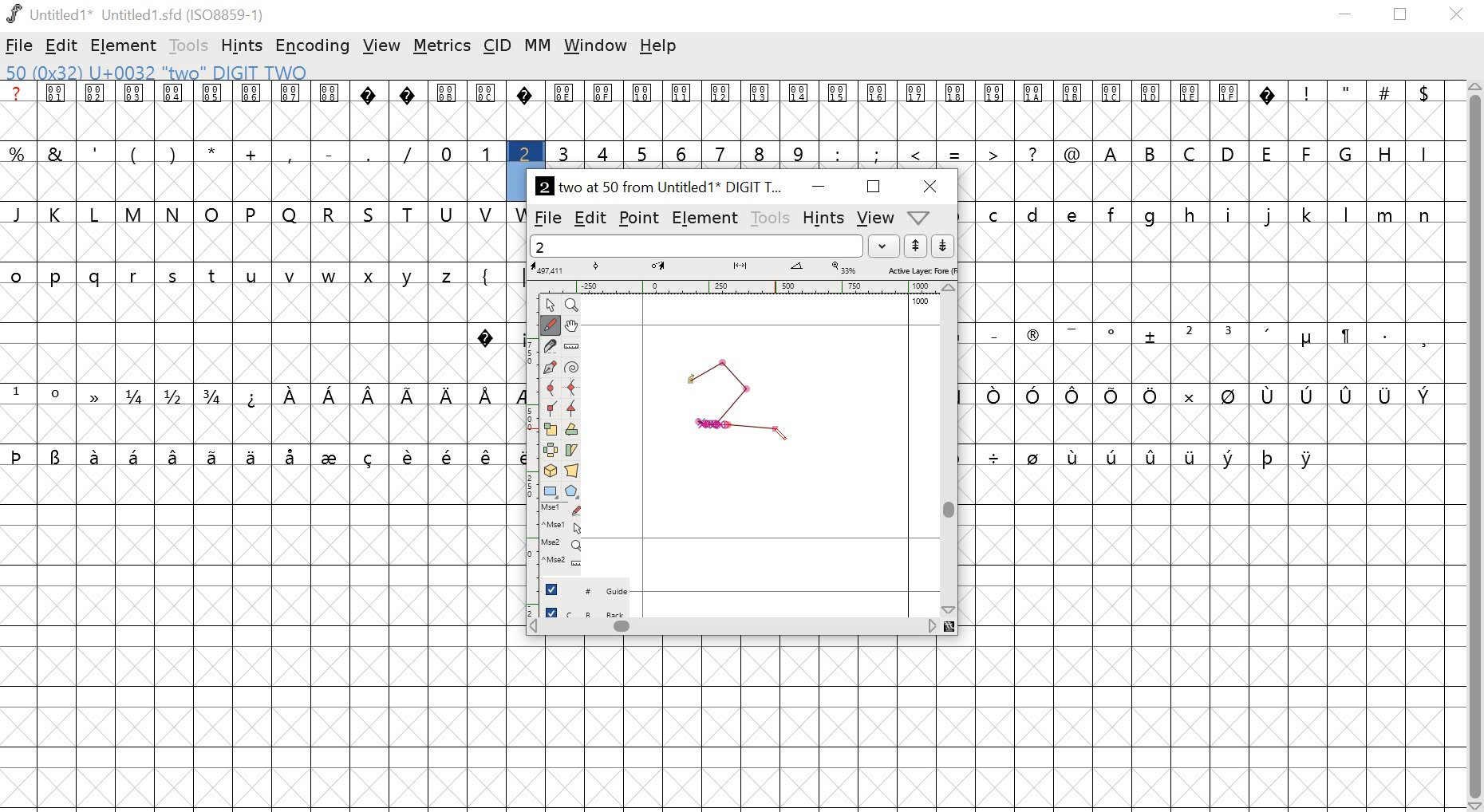 This screenshot has width=1484, height=812. I want to click on 2 two at 50 from Untitled1 DIGIT TW..., so click(662, 185).